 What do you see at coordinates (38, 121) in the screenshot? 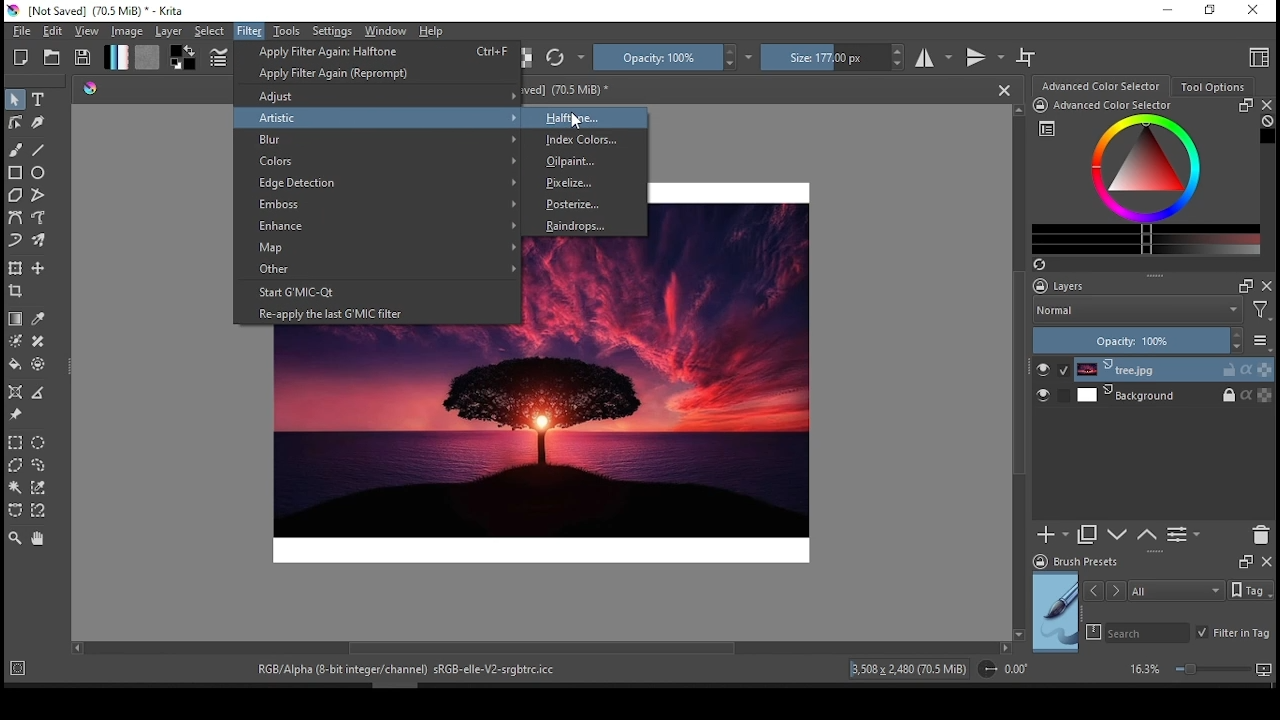
I see `calligraphy` at bounding box center [38, 121].